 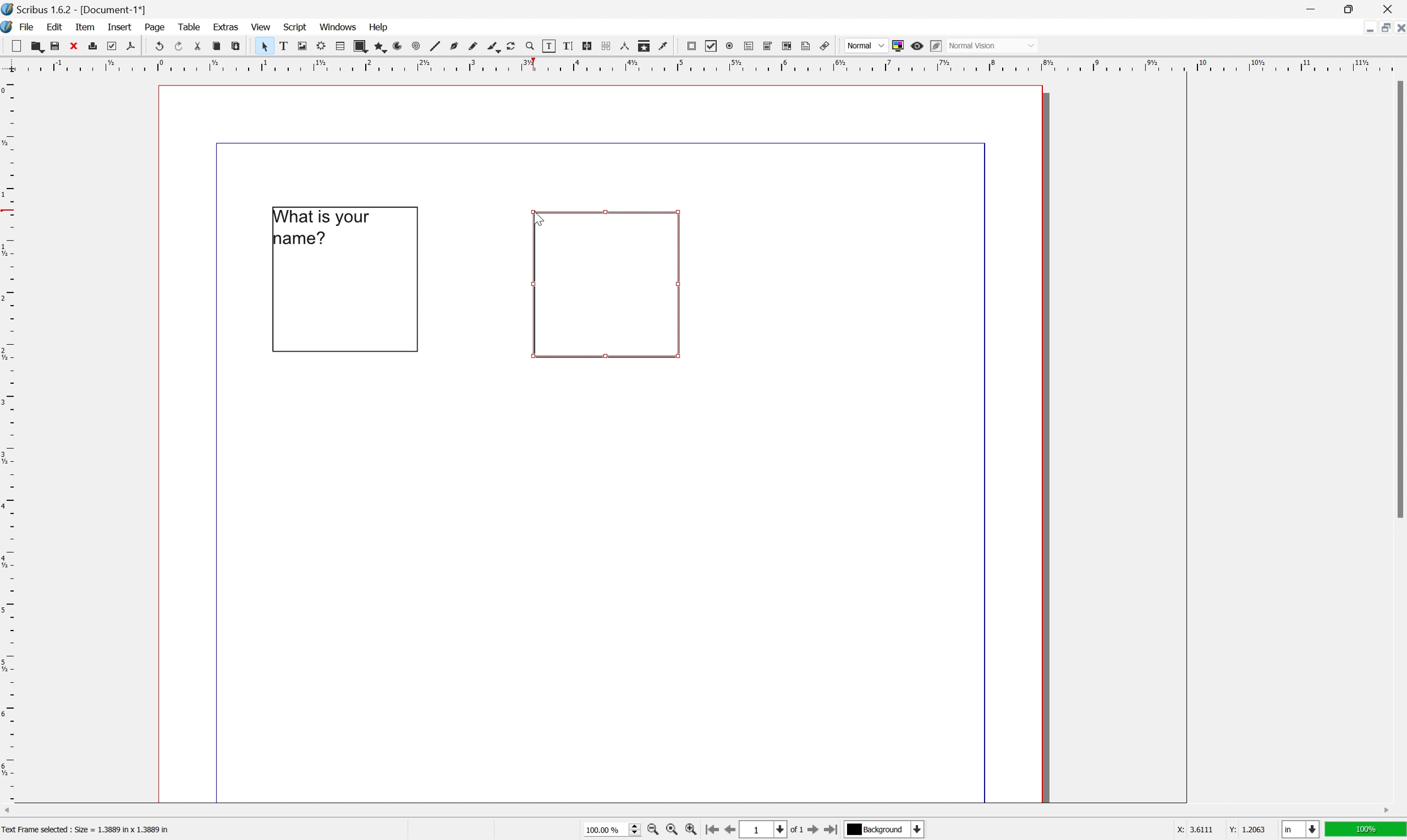 I want to click on select current unit, so click(x=1301, y=830).